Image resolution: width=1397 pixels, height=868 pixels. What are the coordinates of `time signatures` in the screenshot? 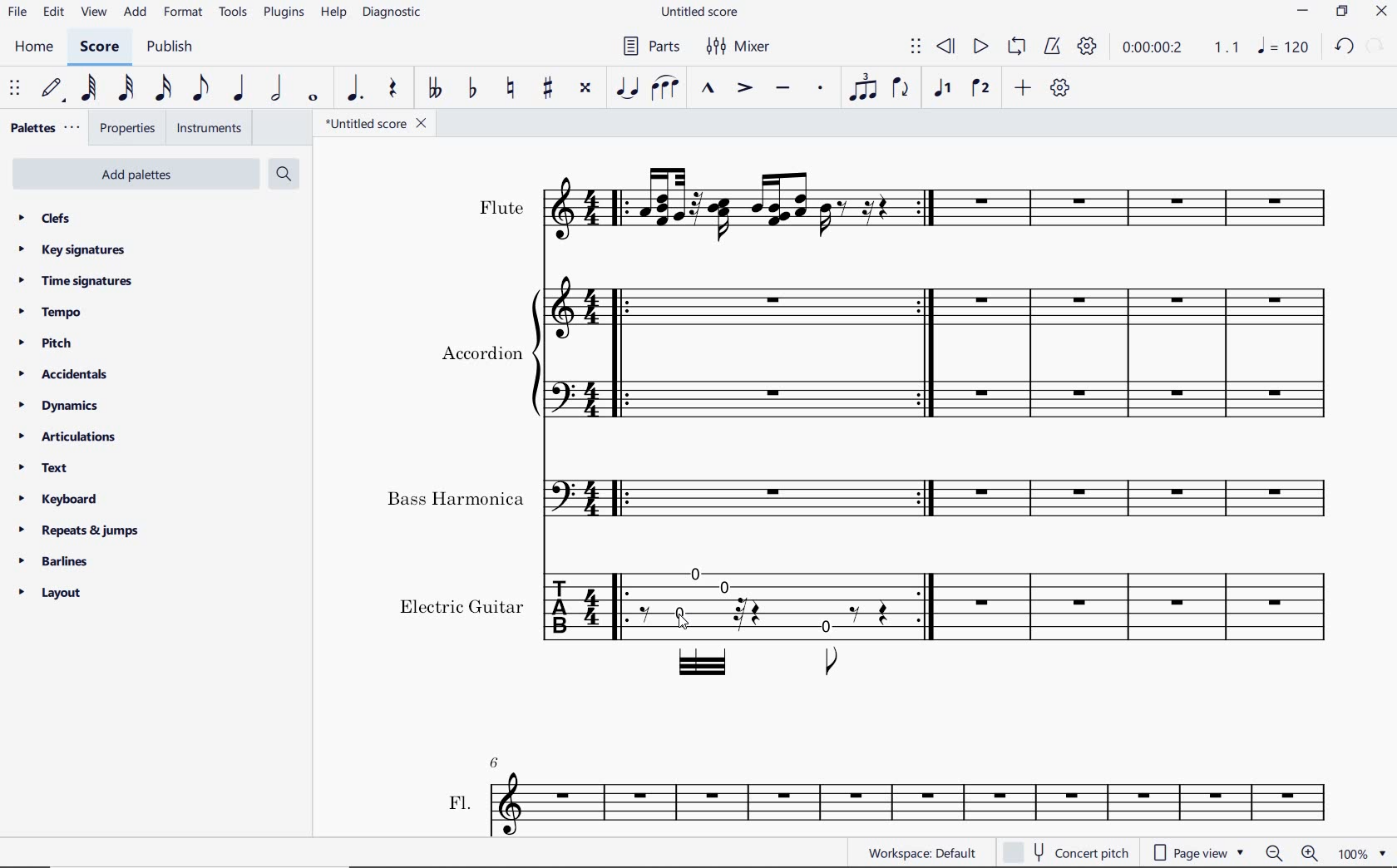 It's located at (77, 280).